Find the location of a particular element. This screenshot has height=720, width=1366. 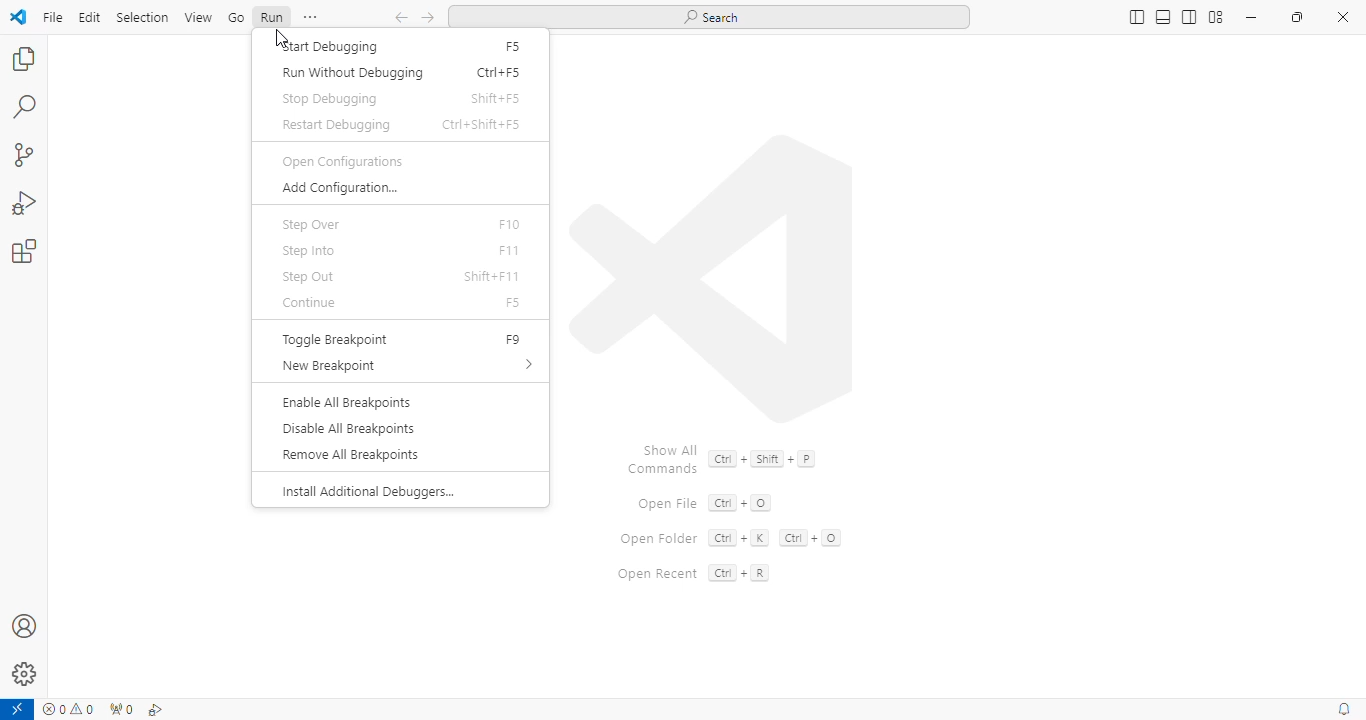

f5 is located at coordinates (513, 302).